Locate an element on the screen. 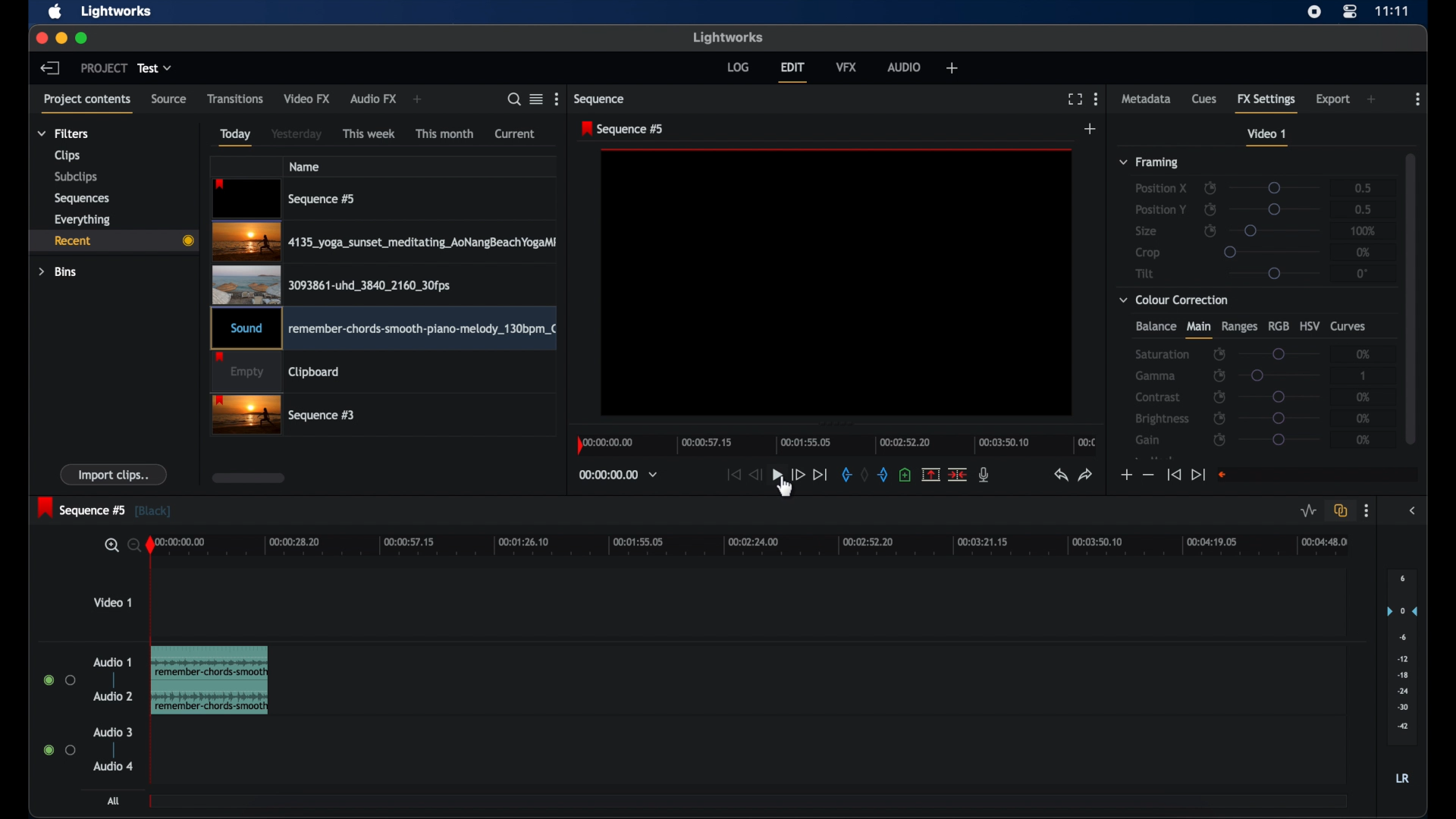  time is located at coordinates (1392, 11).